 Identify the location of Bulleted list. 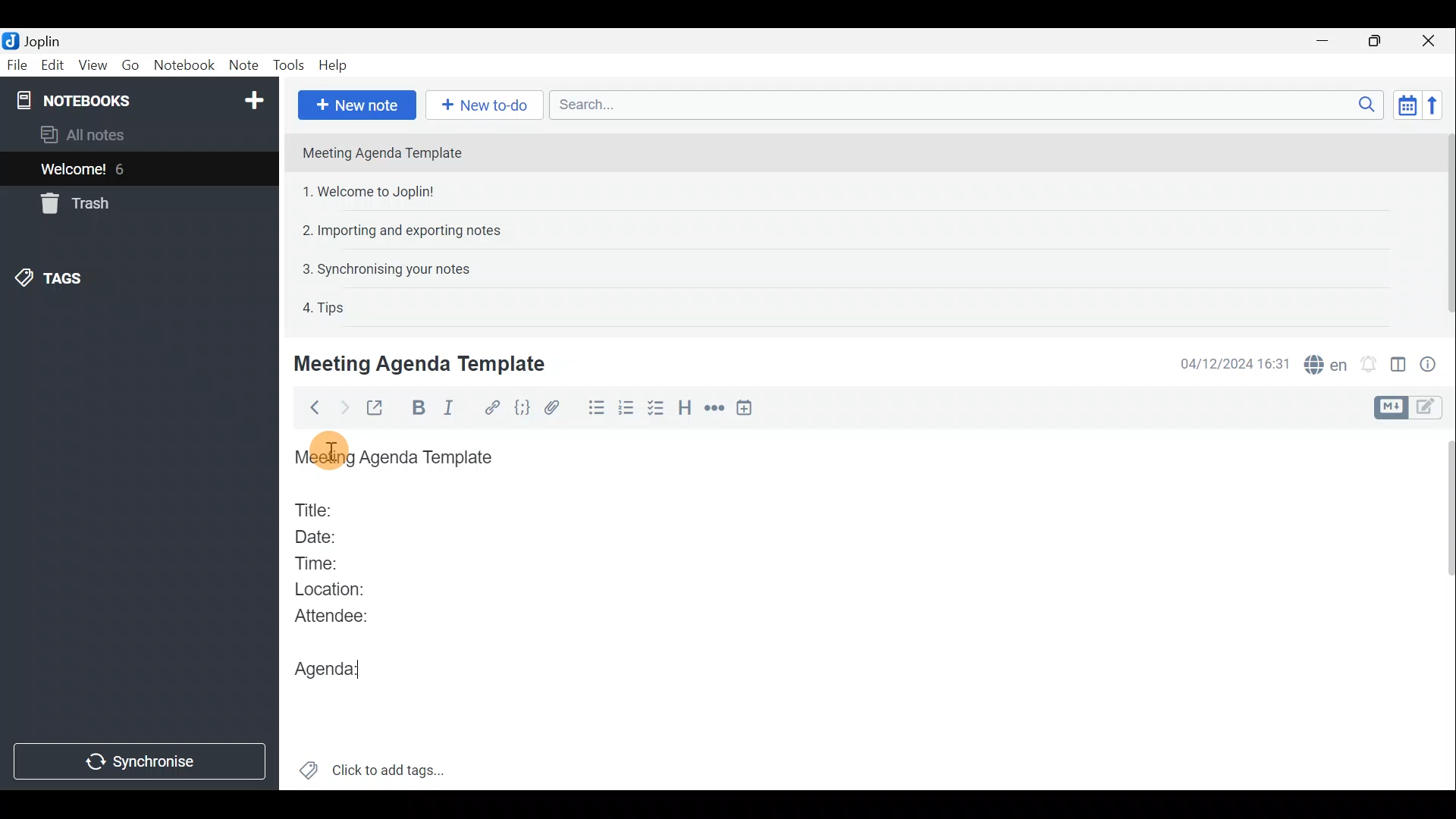
(595, 408).